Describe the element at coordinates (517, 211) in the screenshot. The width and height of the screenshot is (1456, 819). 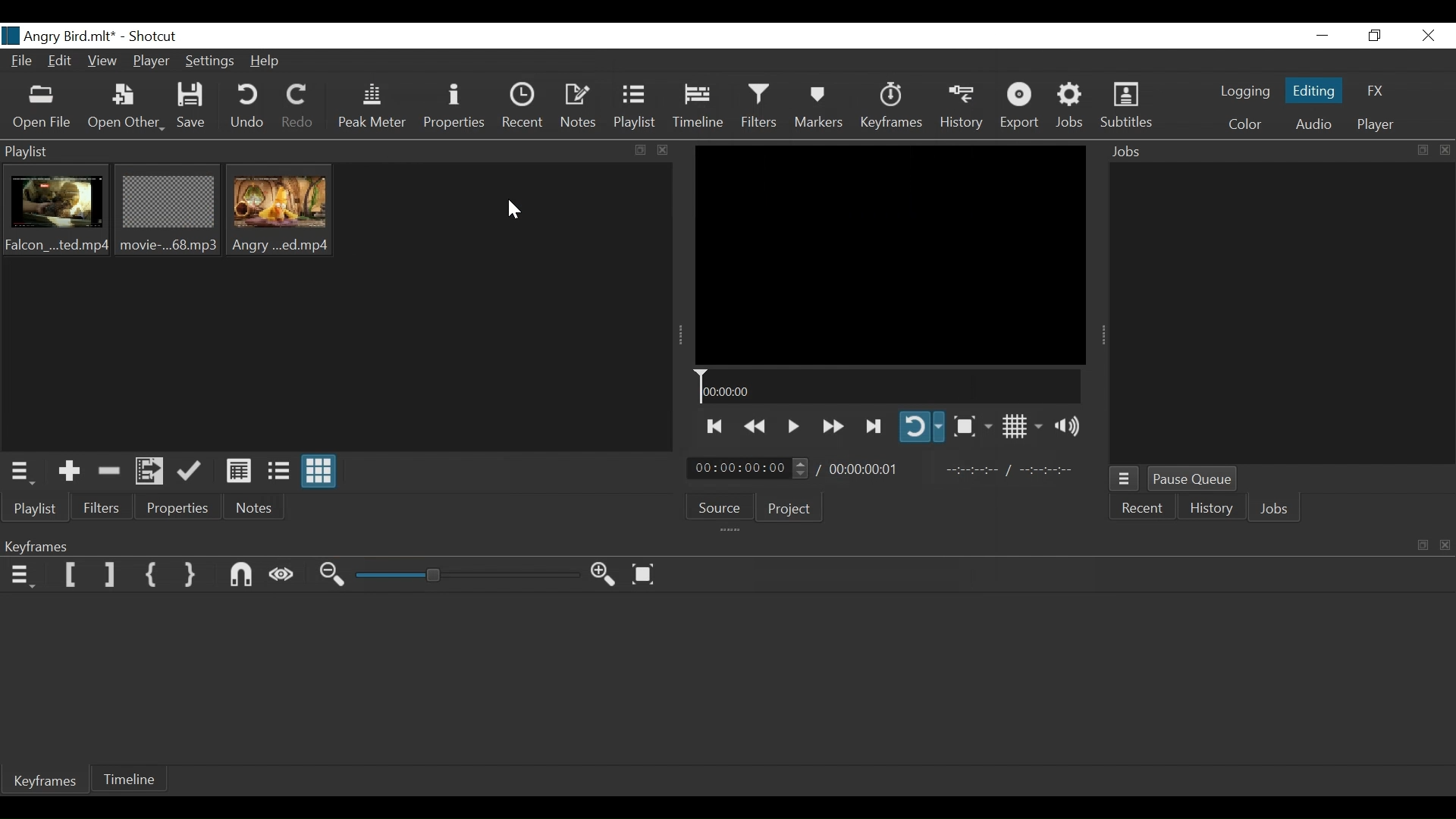
I see `Cursor` at that location.